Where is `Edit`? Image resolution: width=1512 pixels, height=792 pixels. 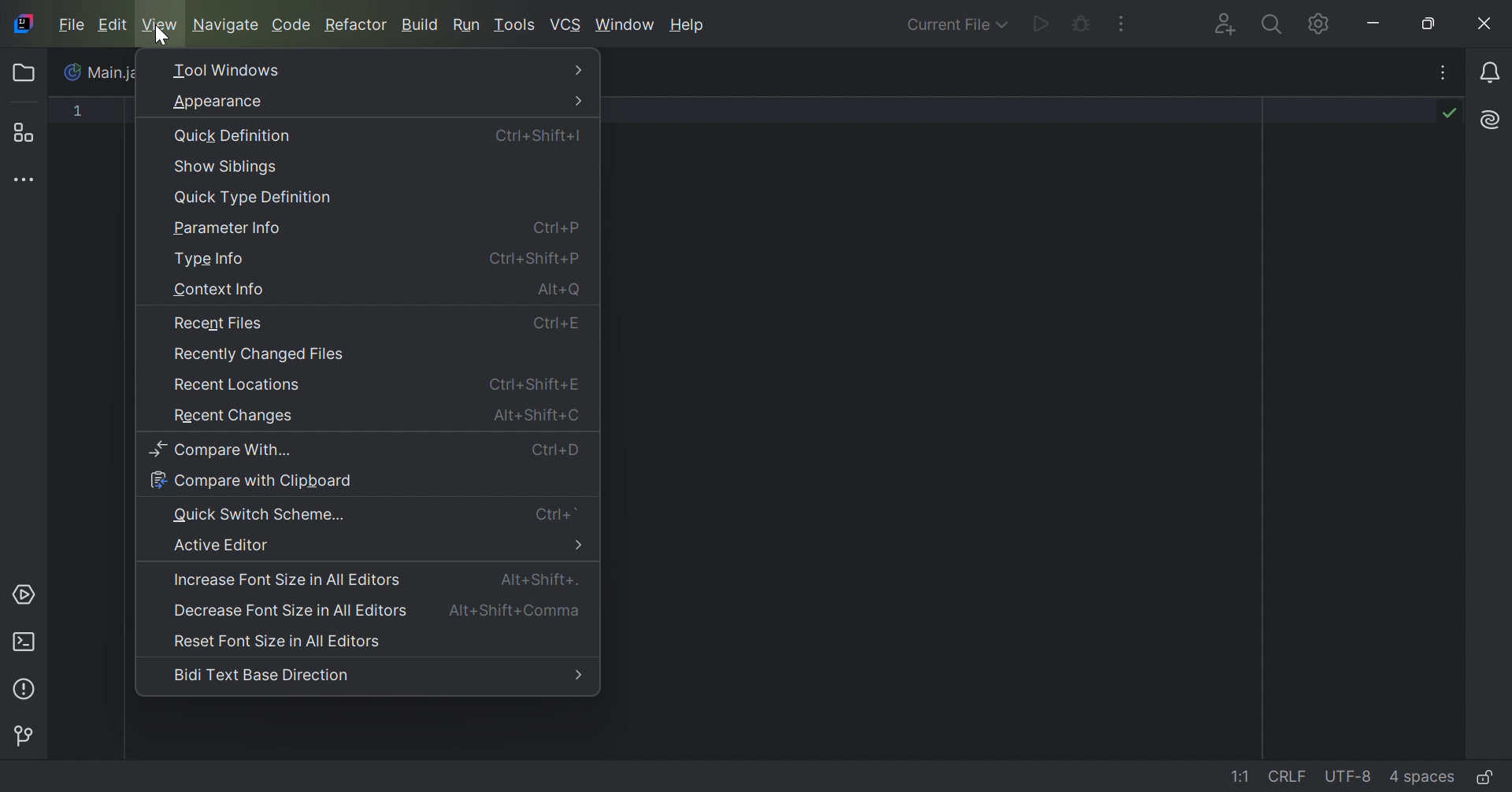
Edit is located at coordinates (112, 25).